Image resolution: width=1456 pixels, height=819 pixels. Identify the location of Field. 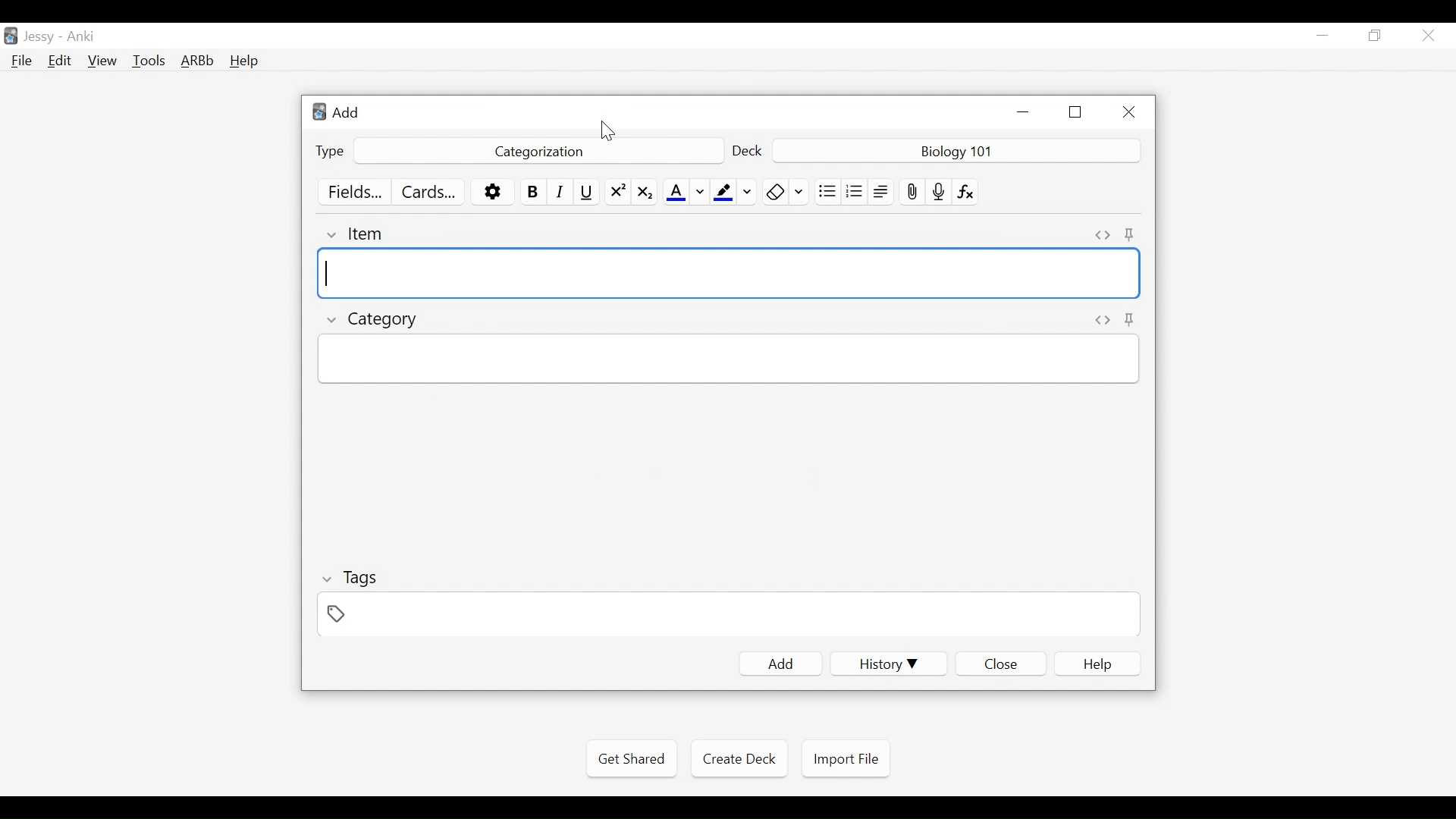
(726, 613).